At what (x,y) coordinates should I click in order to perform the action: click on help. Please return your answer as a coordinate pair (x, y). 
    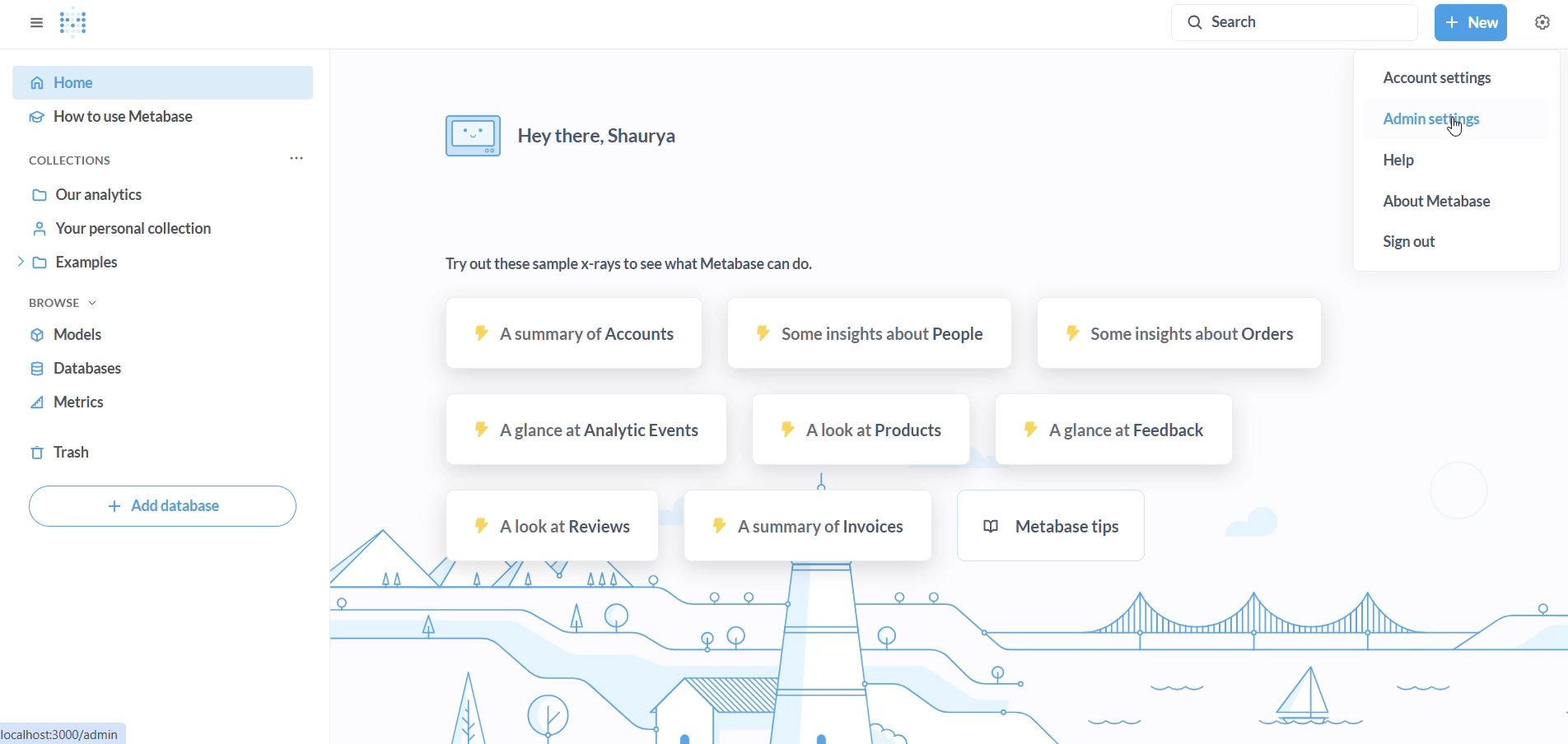
    Looking at the image, I should click on (1452, 160).